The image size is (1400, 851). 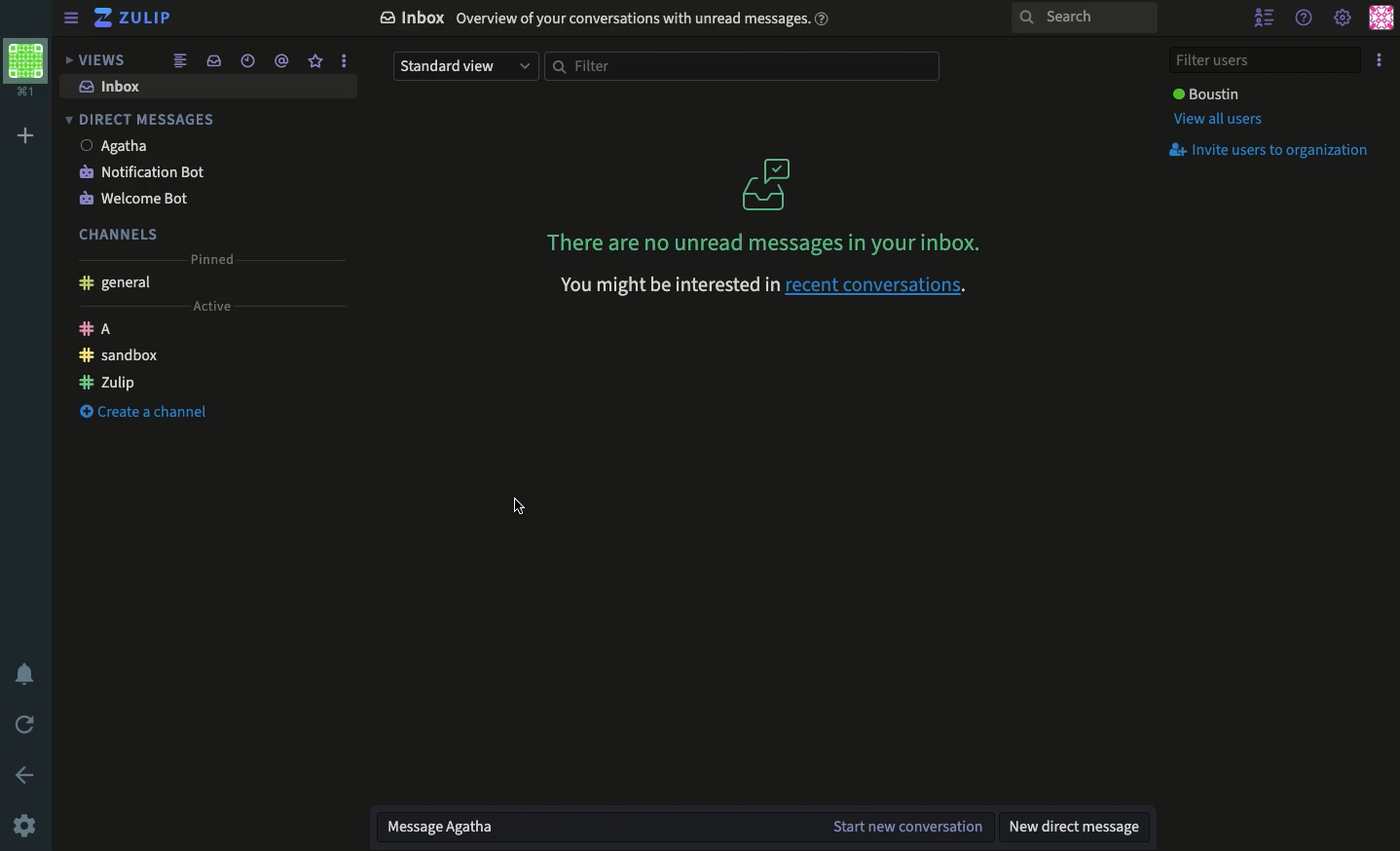 What do you see at coordinates (1085, 16) in the screenshot?
I see `Search` at bounding box center [1085, 16].